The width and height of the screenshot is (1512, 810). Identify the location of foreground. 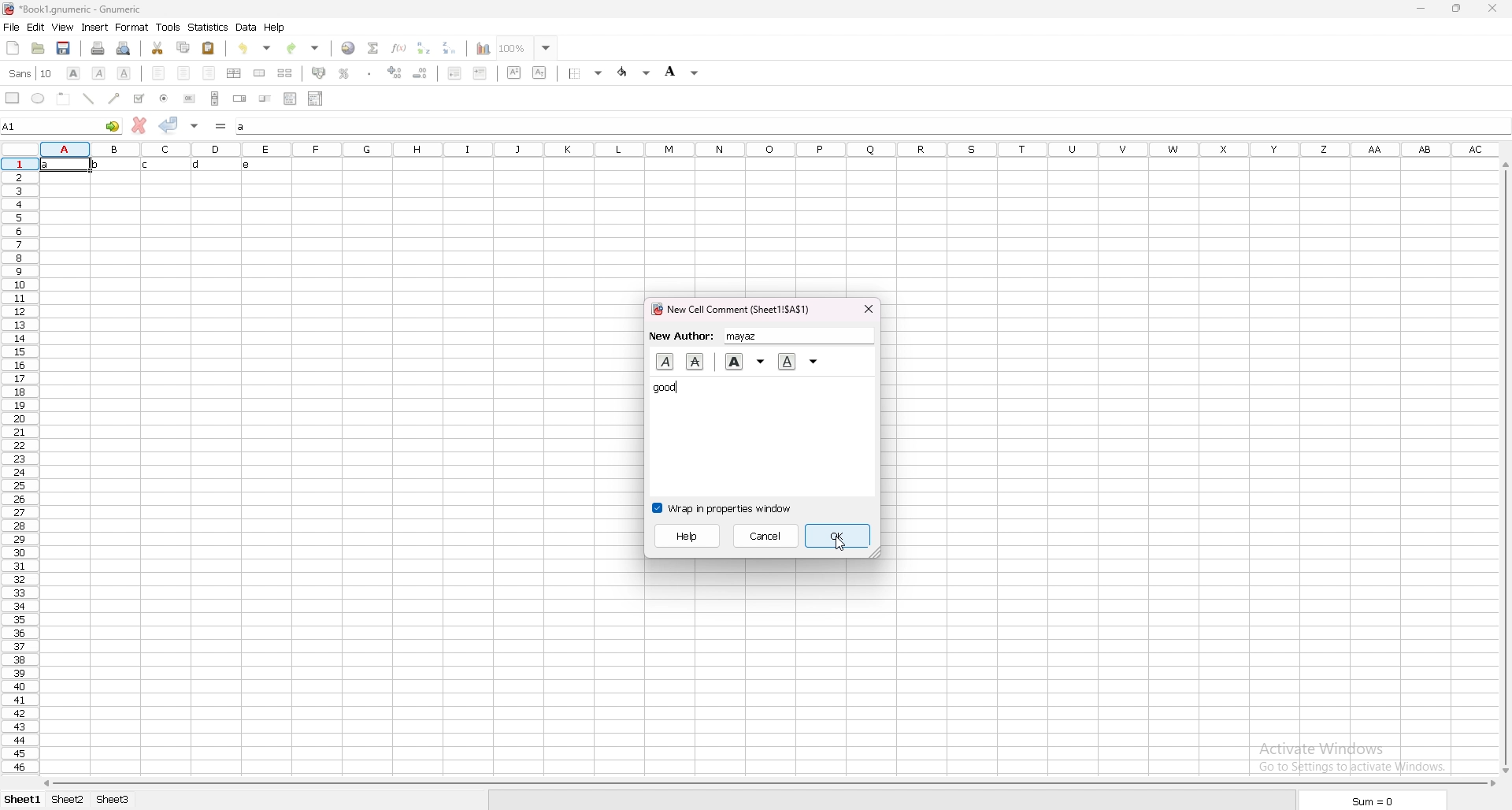
(635, 72).